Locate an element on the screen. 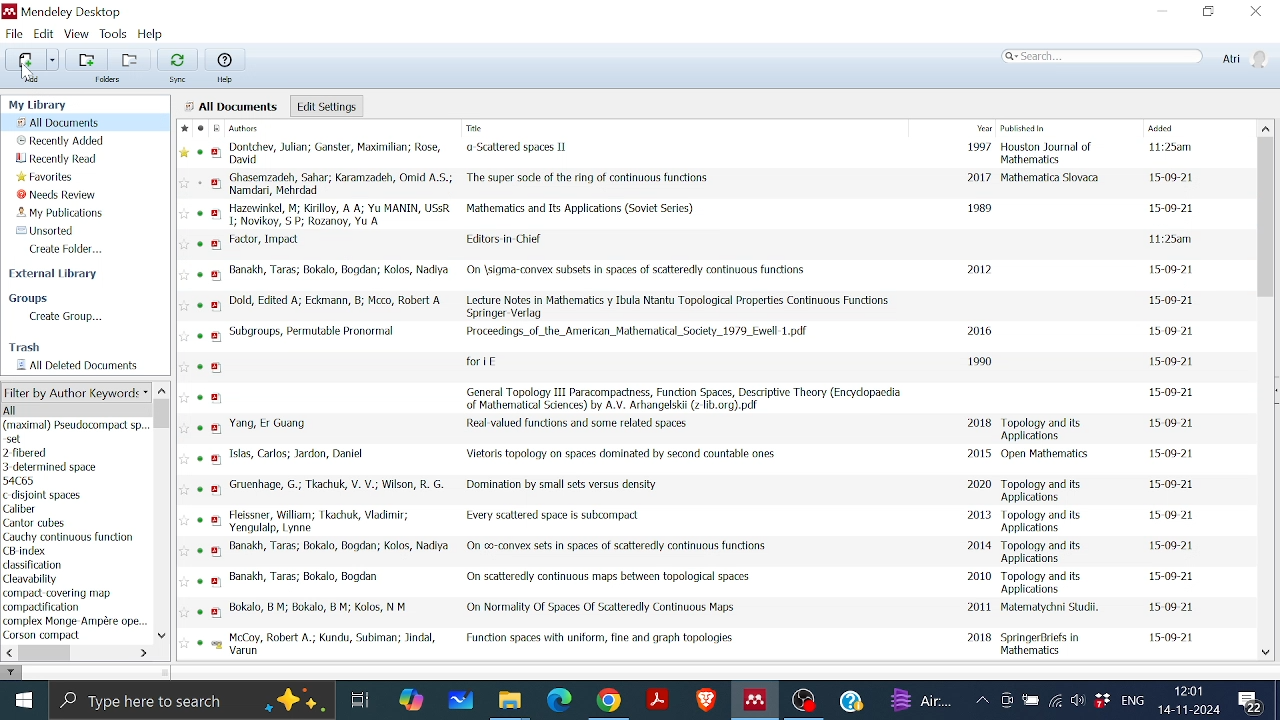 This screenshot has width=1280, height=720. keyword is located at coordinates (35, 580).